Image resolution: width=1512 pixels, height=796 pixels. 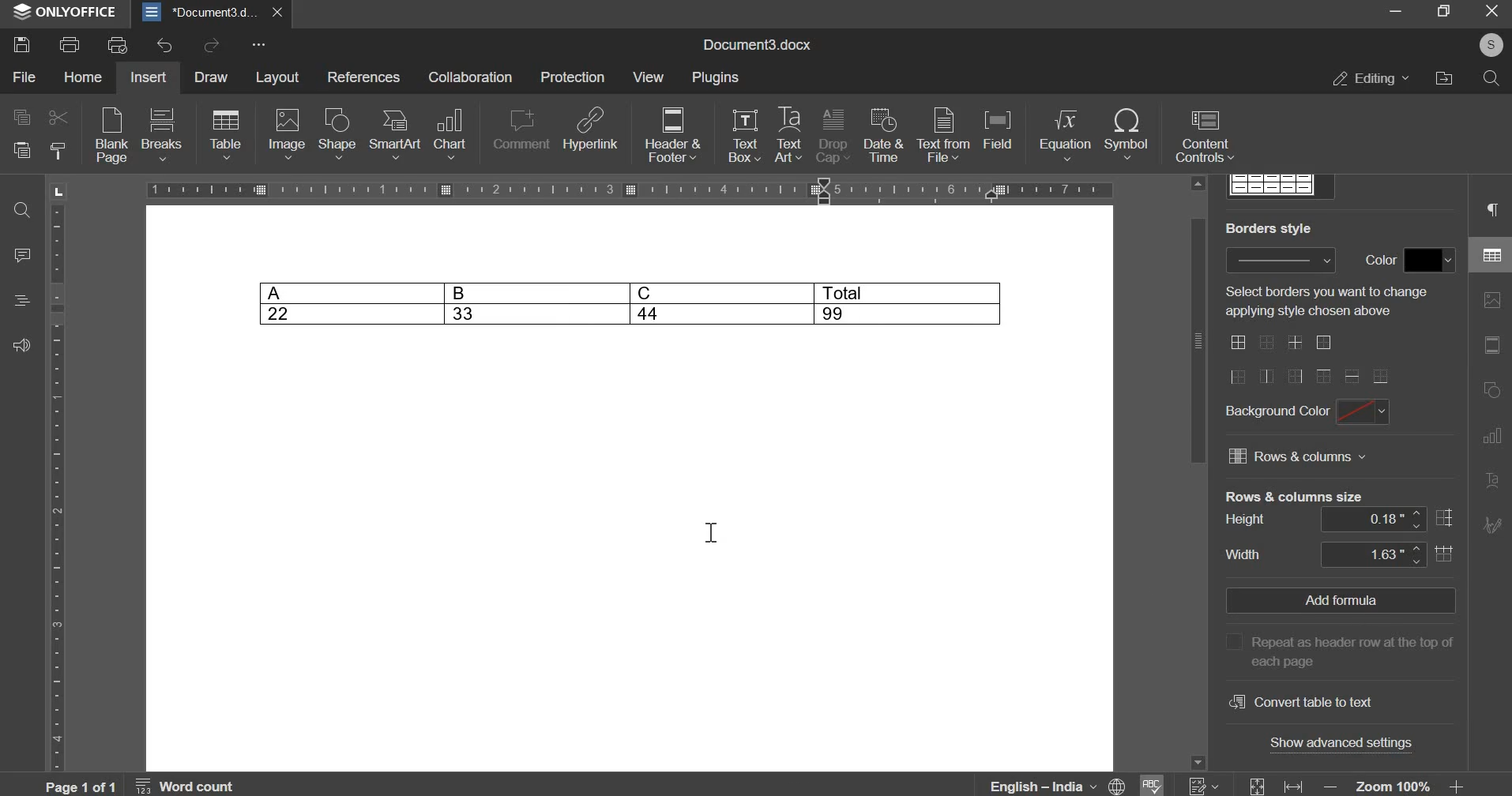 What do you see at coordinates (1493, 80) in the screenshot?
I see `search` at bounding box center [1493, 80].